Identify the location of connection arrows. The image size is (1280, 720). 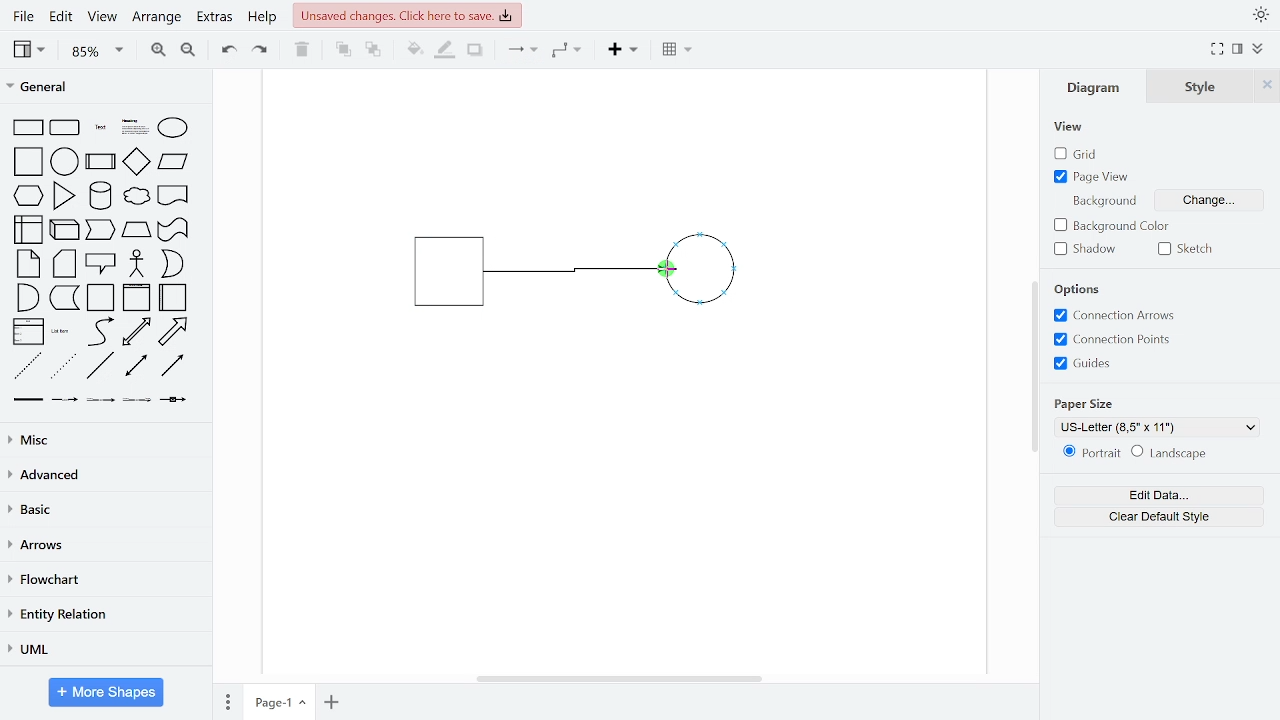
(1111, 316).